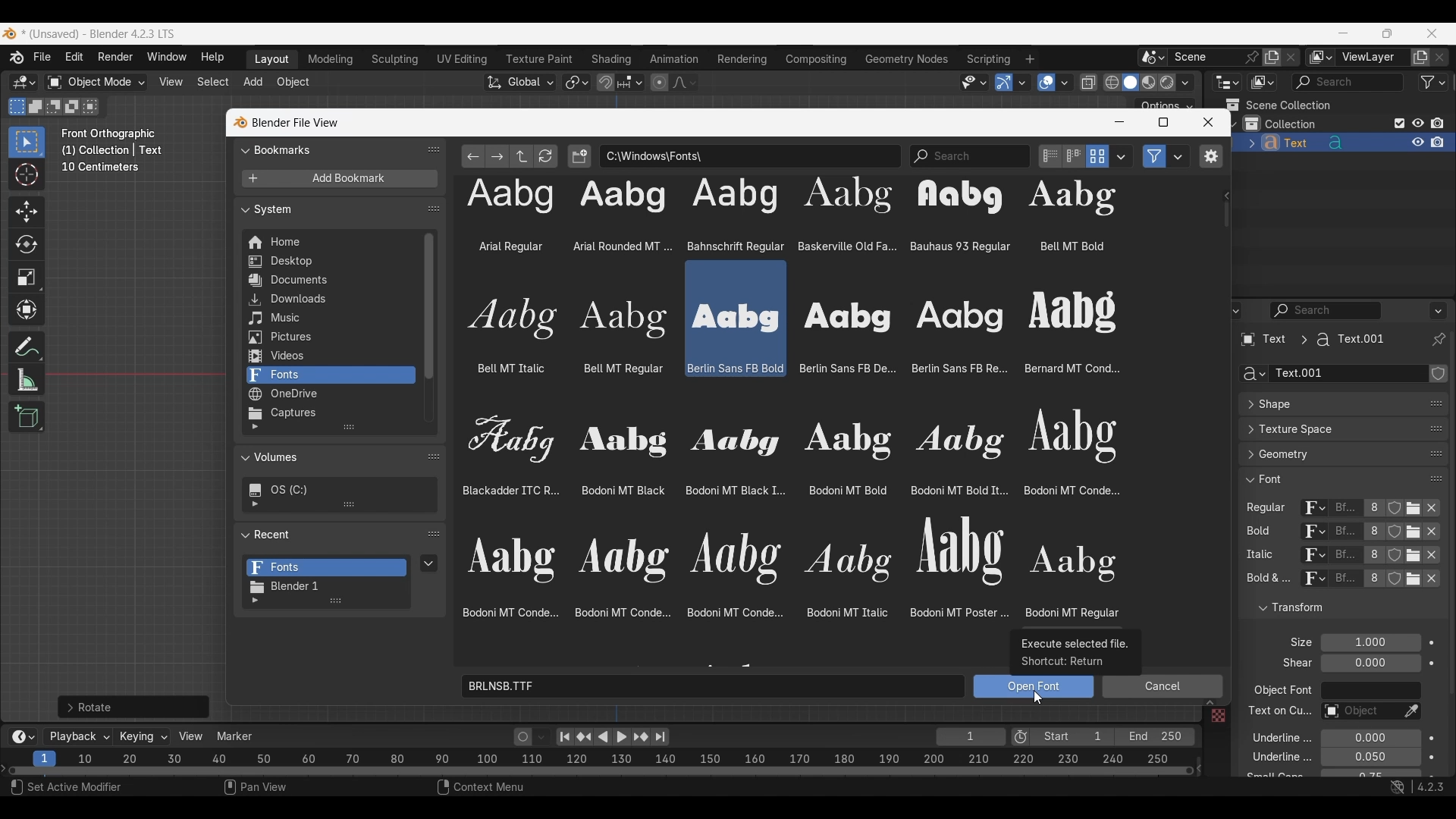  I want to click on File path, so click(750, 155).